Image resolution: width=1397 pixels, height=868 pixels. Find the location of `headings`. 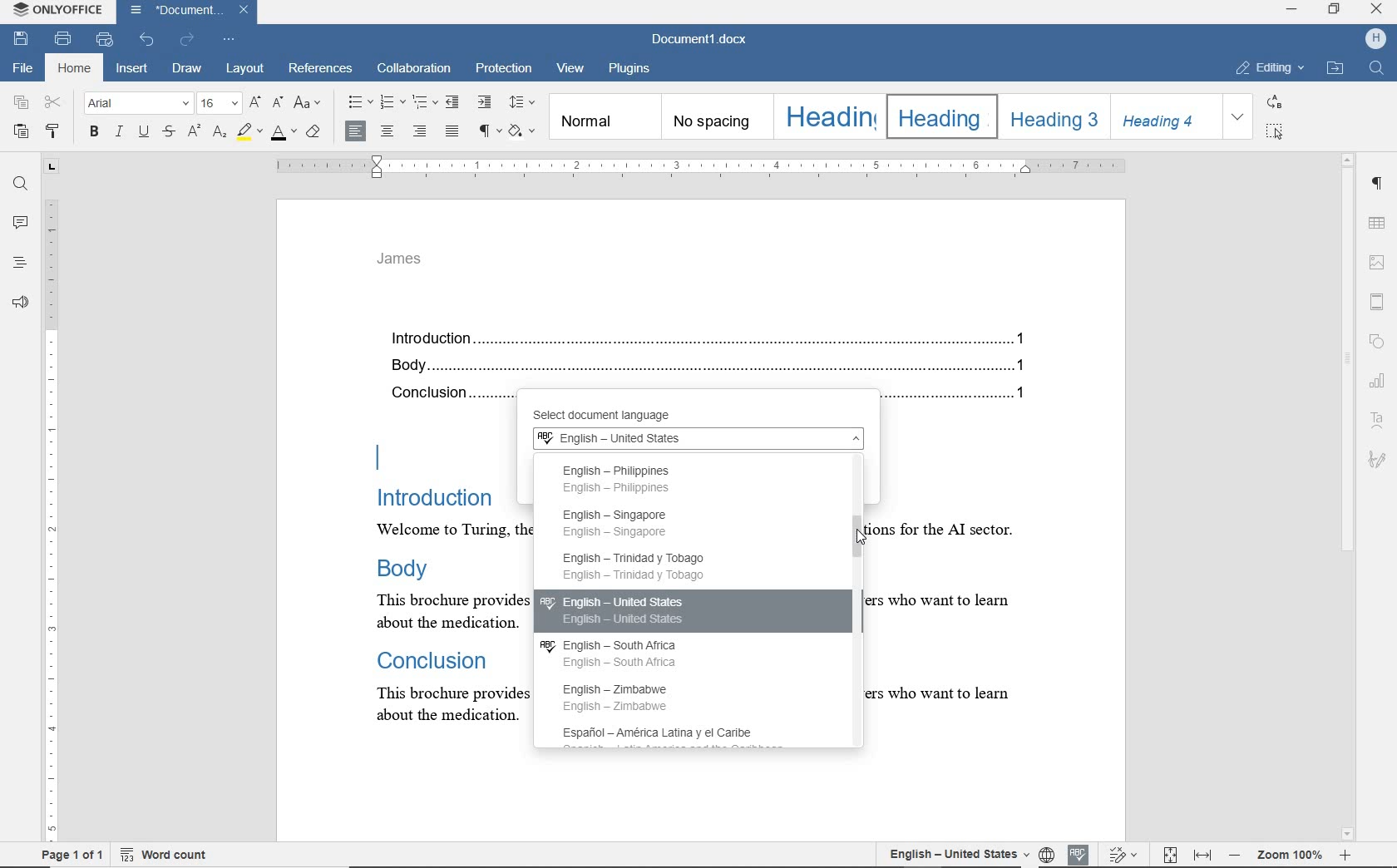

headings is located at coordinates (19, 264).